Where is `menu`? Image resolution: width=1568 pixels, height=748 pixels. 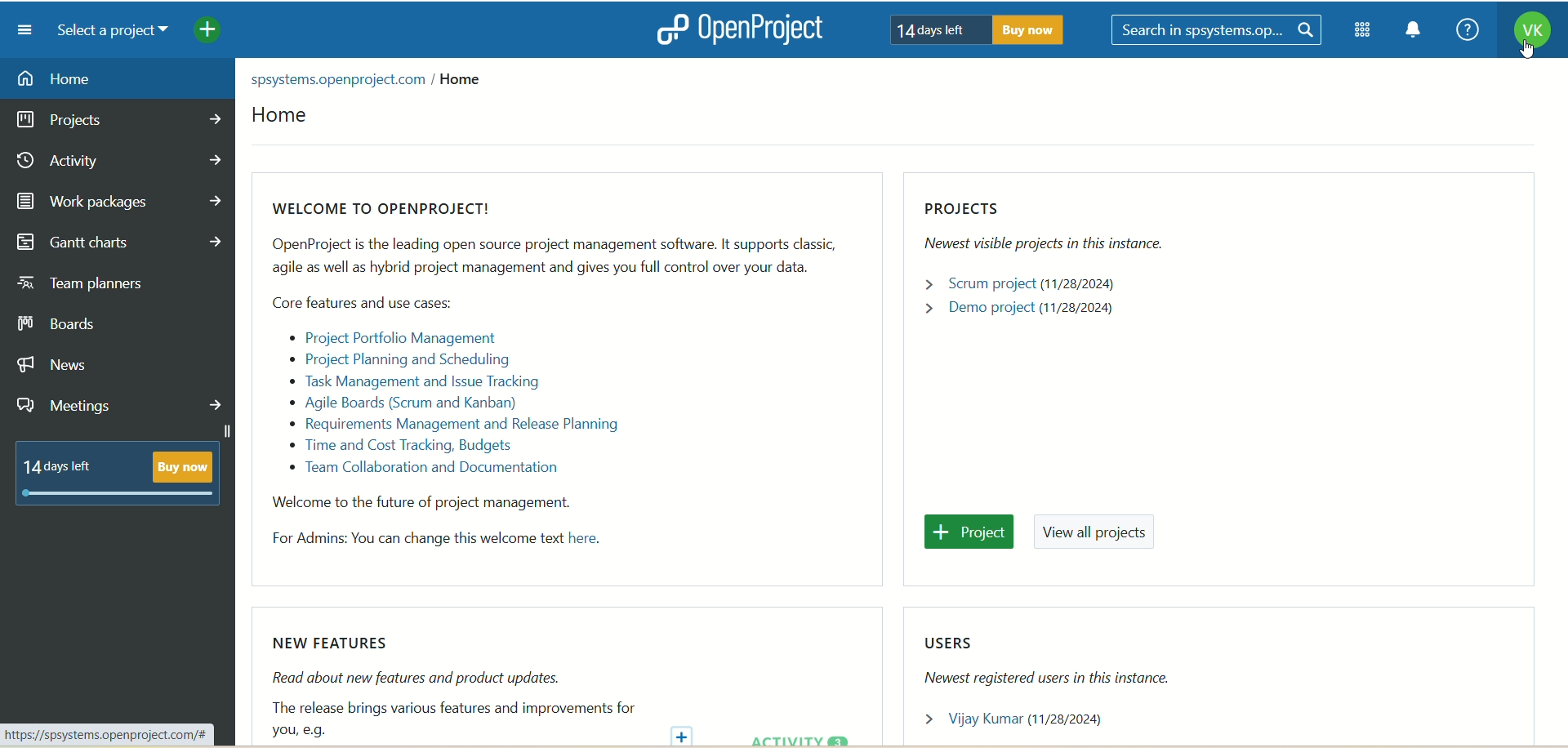 menu is located at coordinates (19, 29).